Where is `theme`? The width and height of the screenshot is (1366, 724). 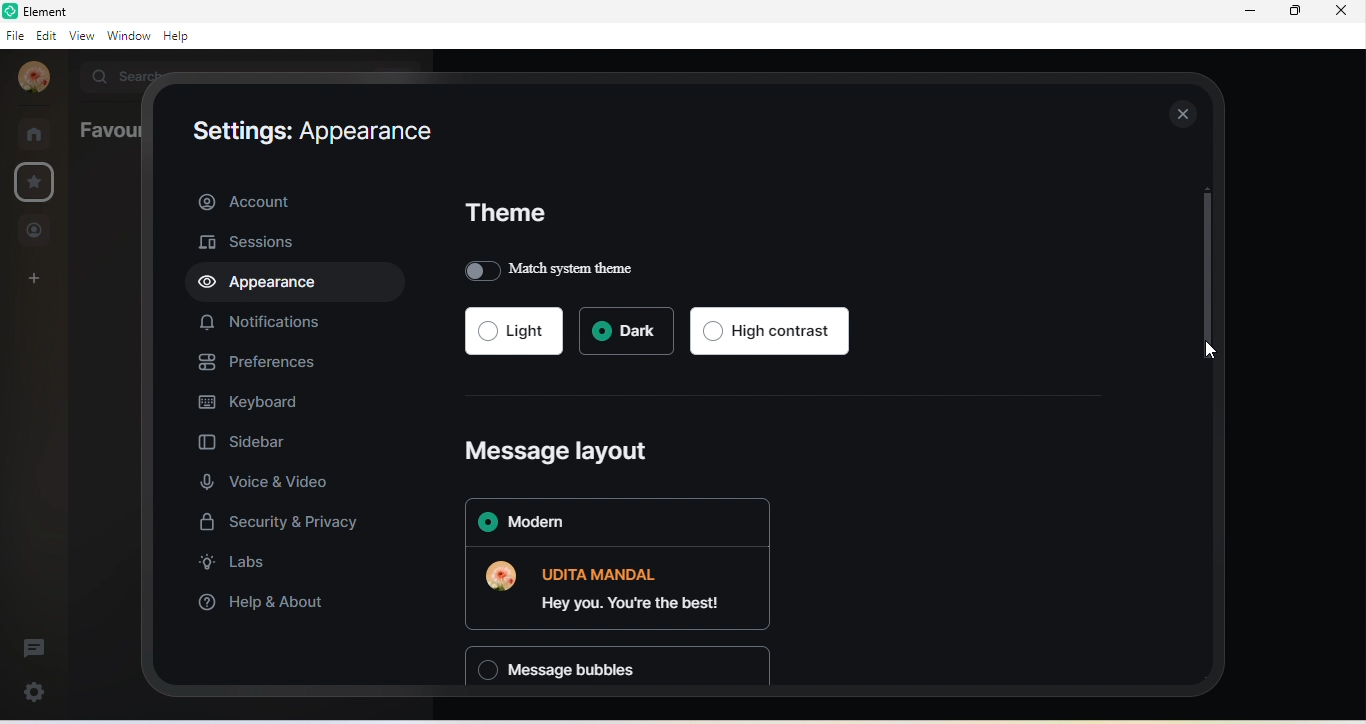
theme is located at coordinates (510, 216).